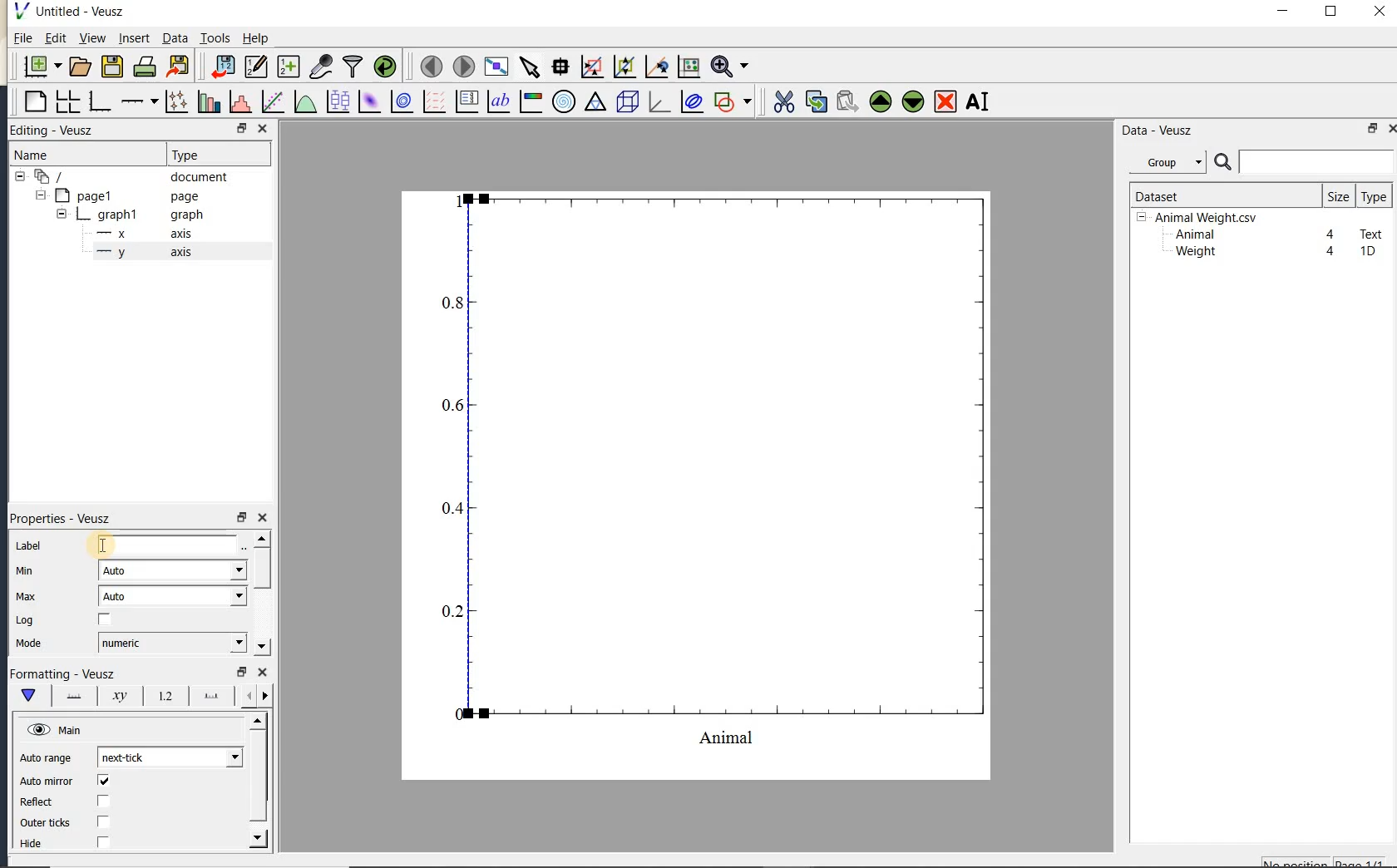 Image resolution: width=1397 pixels, height=868 pixels. Describe the element at coordinates (239, 126) in the screenshot. I see `RESTORE` at that location.